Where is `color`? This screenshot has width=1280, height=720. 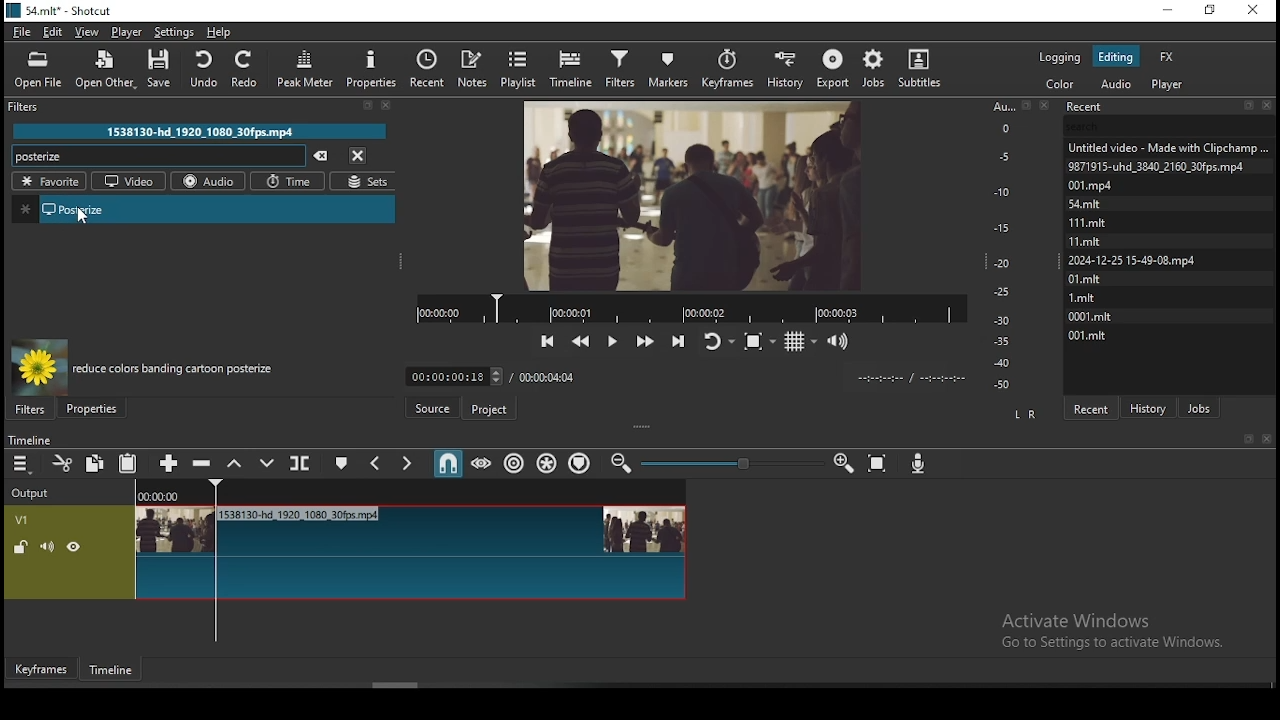
color is located at coordinates (1060, 84).